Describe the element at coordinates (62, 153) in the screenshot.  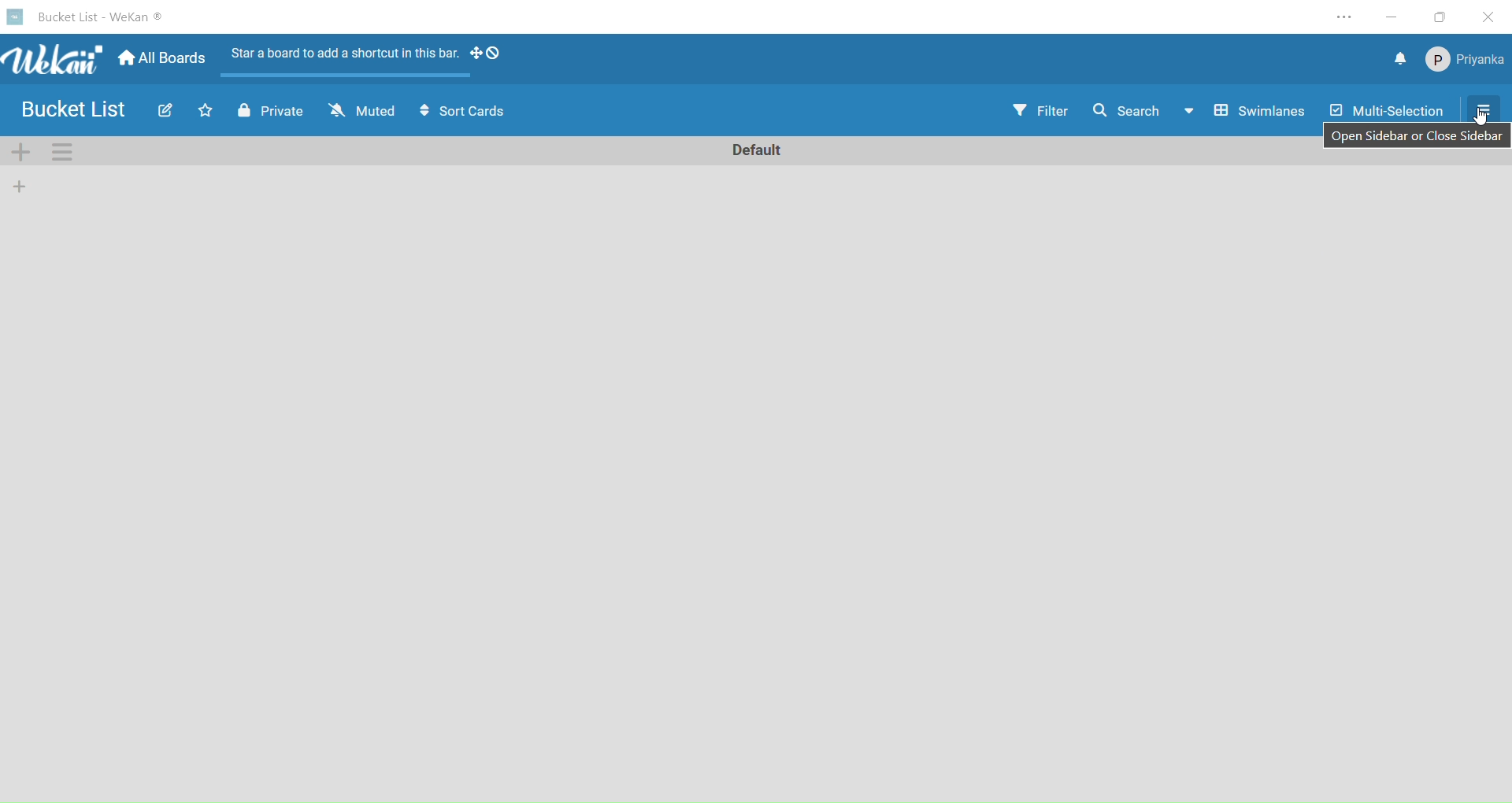
I see `swimlane actions` at that location.